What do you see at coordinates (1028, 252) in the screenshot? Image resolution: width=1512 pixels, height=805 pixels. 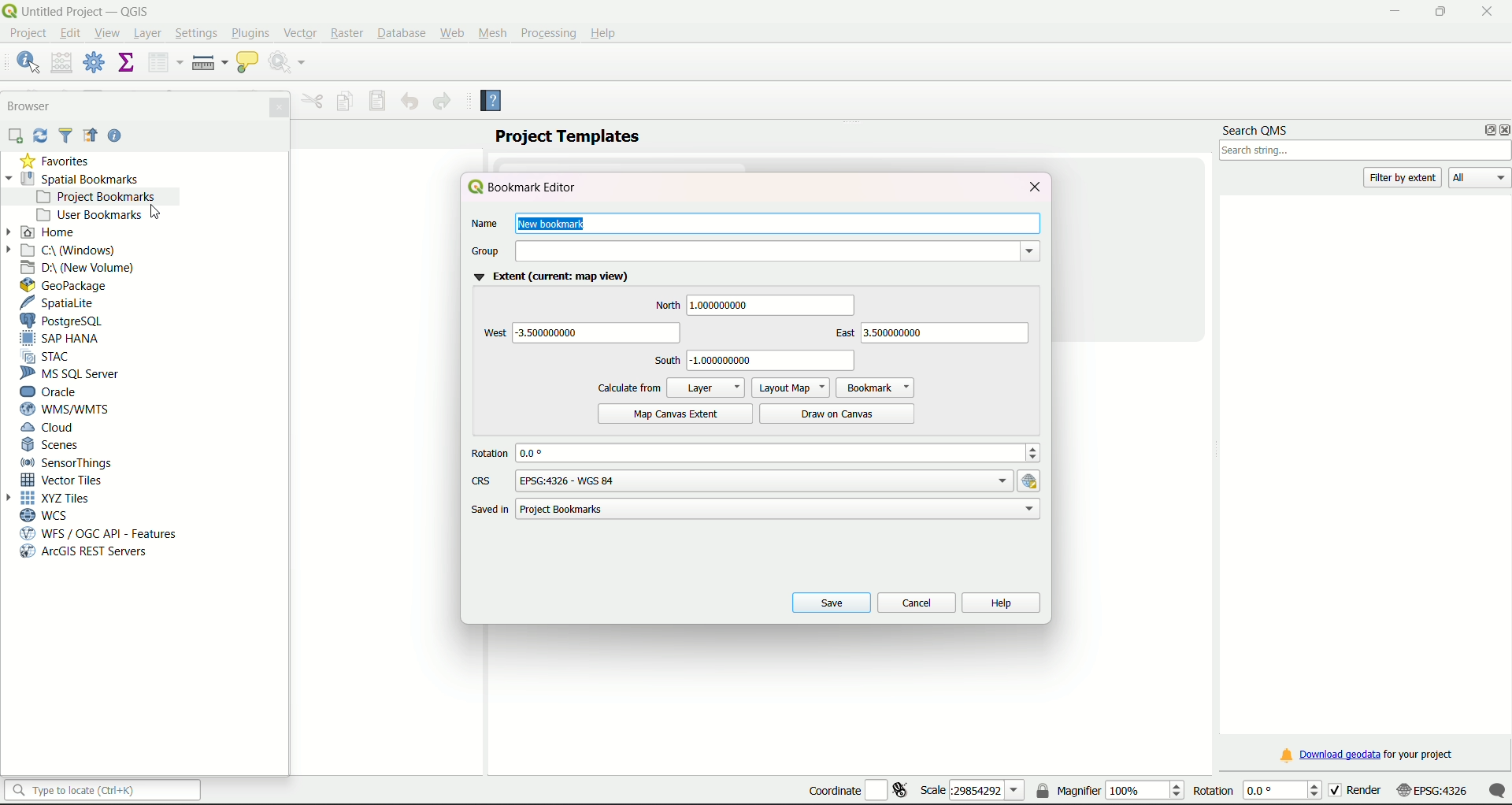 I see `dropdown` at bounding box center [1028, 252].